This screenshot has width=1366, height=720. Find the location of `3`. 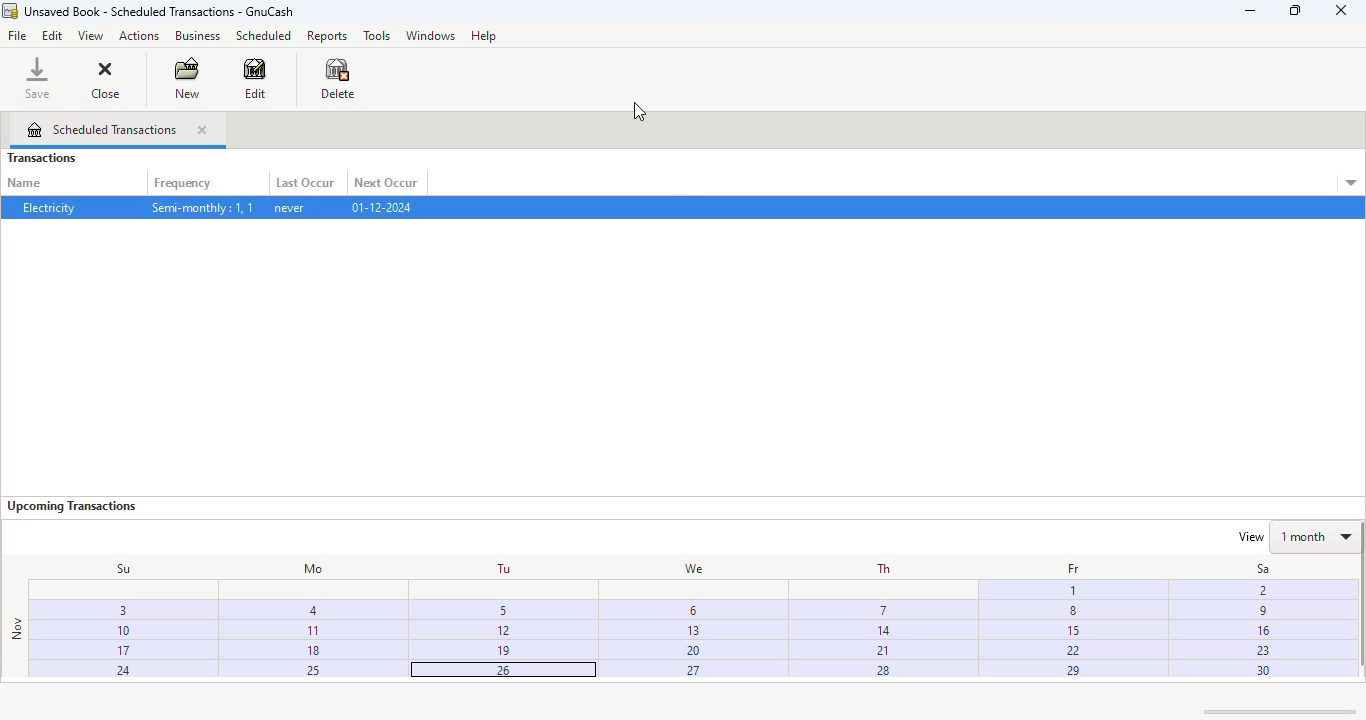

3 is located at coordinates (111, 613).